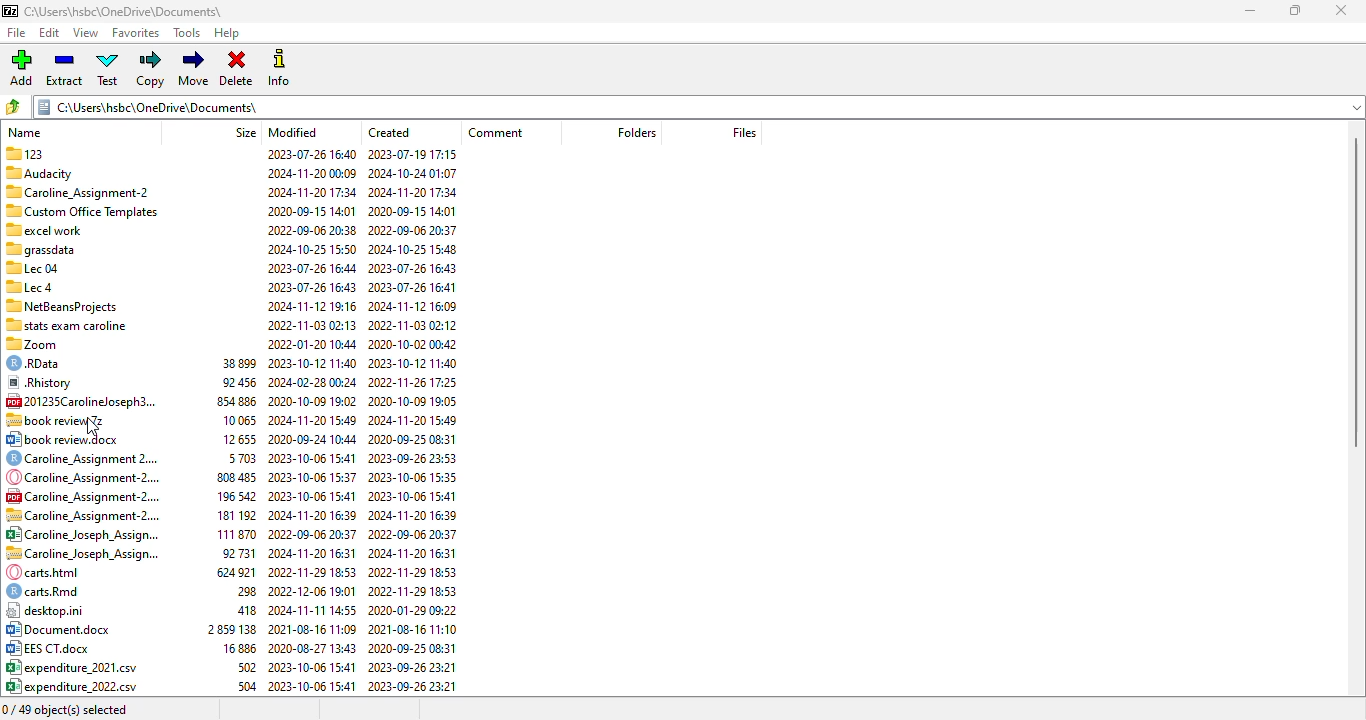  I want to click on add, so click(21, 67).